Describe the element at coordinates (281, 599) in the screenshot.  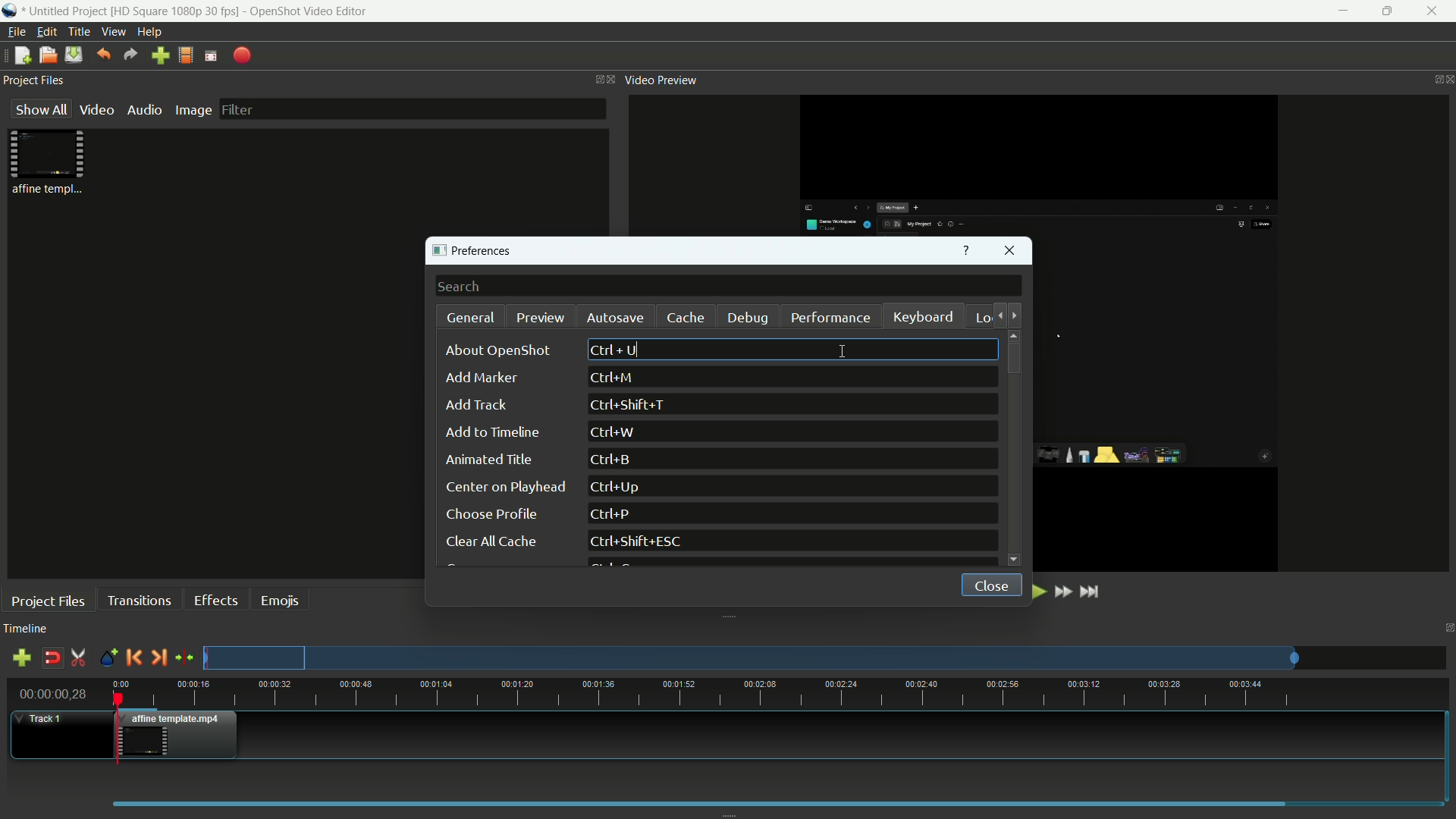
I see `emojis` at that location.